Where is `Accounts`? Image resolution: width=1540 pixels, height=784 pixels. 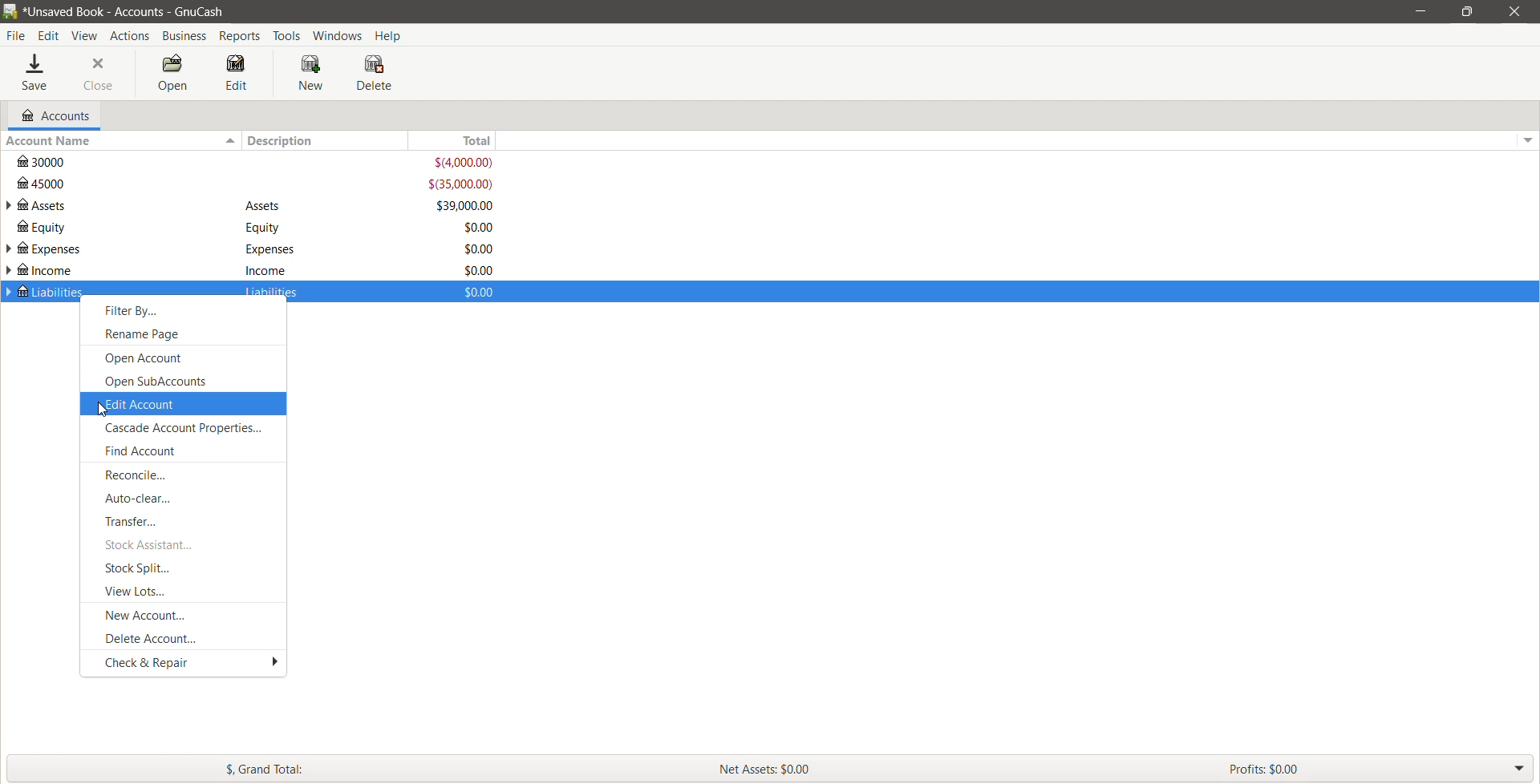 Accounts is located at coordinates (128, 35).